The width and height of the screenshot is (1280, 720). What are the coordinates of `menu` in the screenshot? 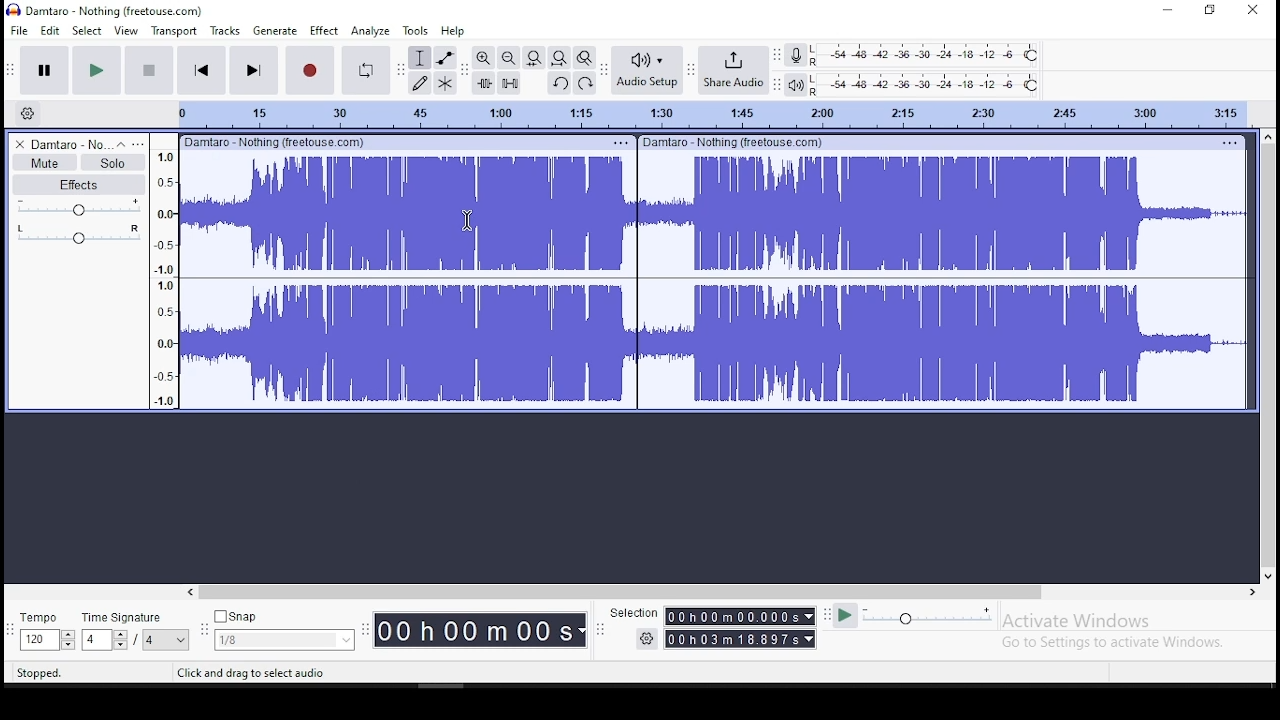 It's located at (620, 143).